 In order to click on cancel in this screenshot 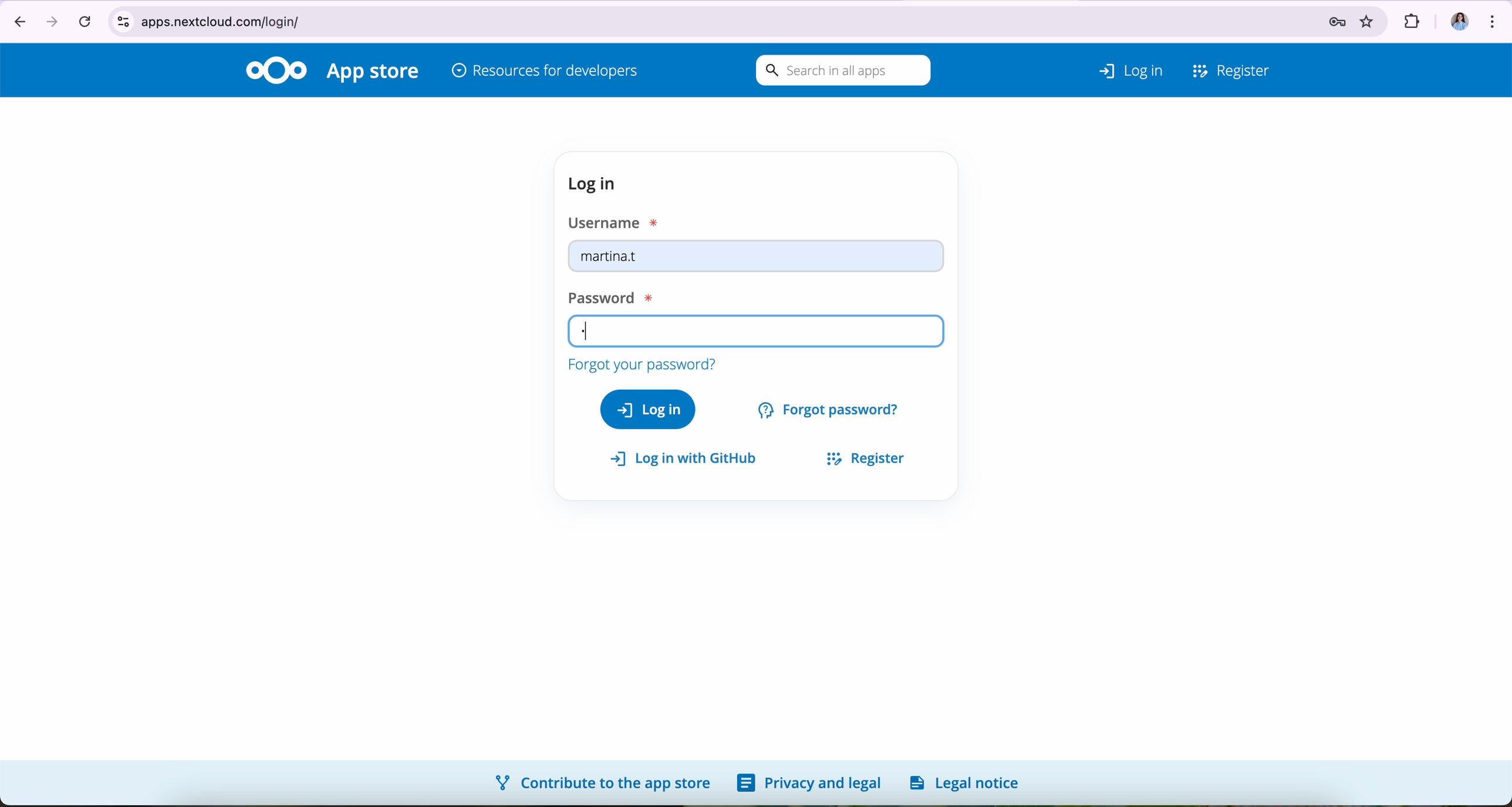, I will do `click(84, 21)`.